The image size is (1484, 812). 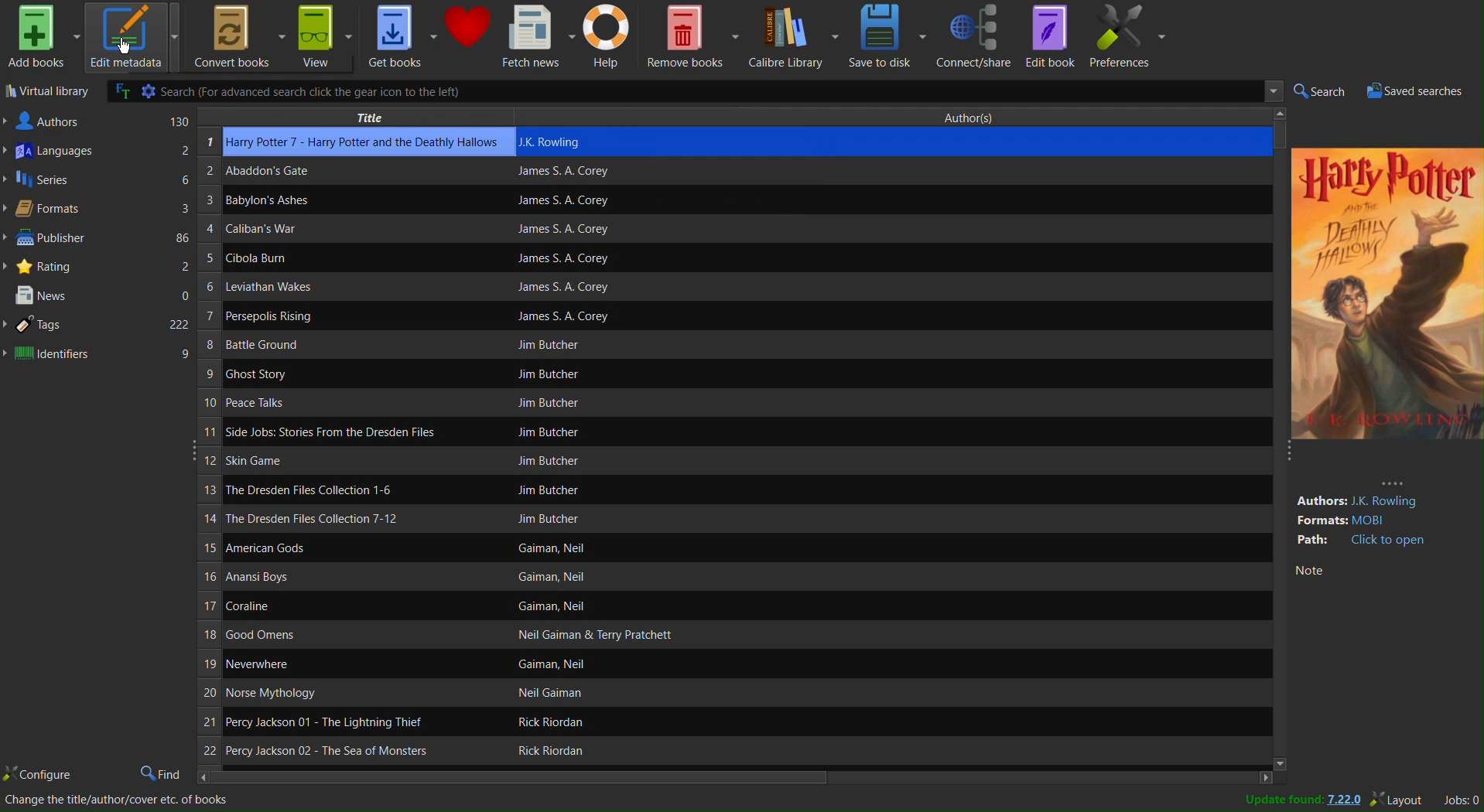 I want to click on Update, so click(x=1294, y=800).